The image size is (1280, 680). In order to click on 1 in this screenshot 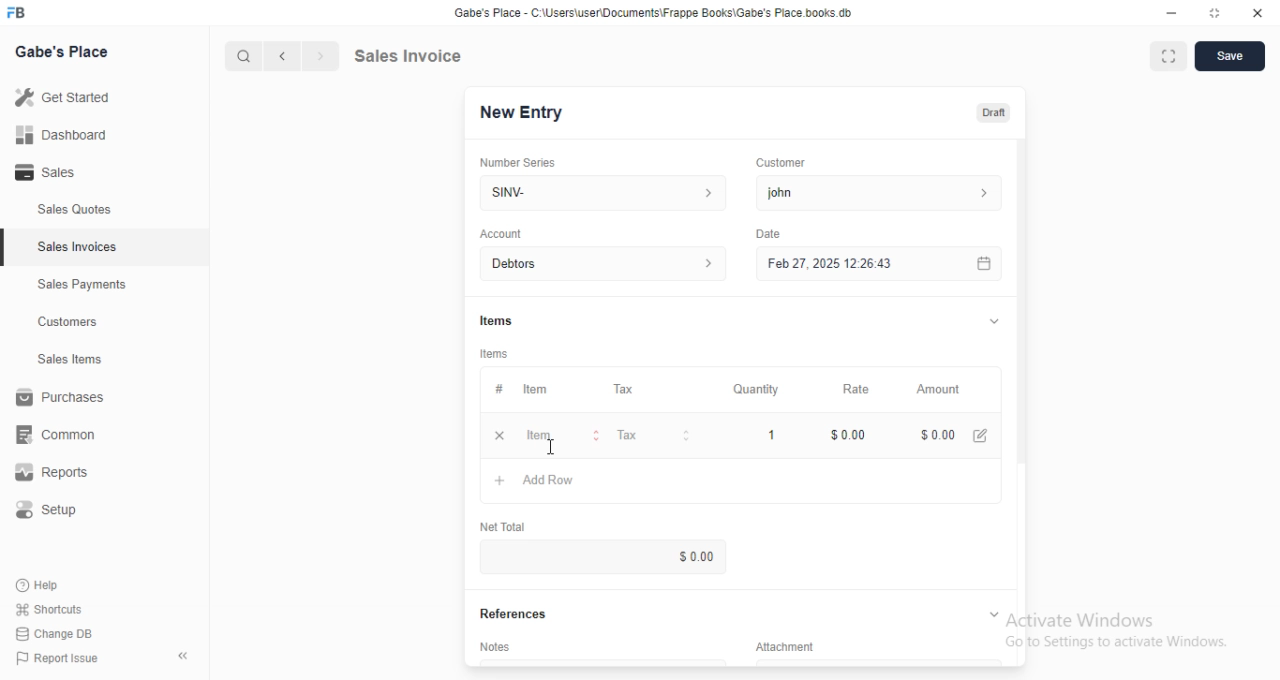, I will do `click(769, 433)`.